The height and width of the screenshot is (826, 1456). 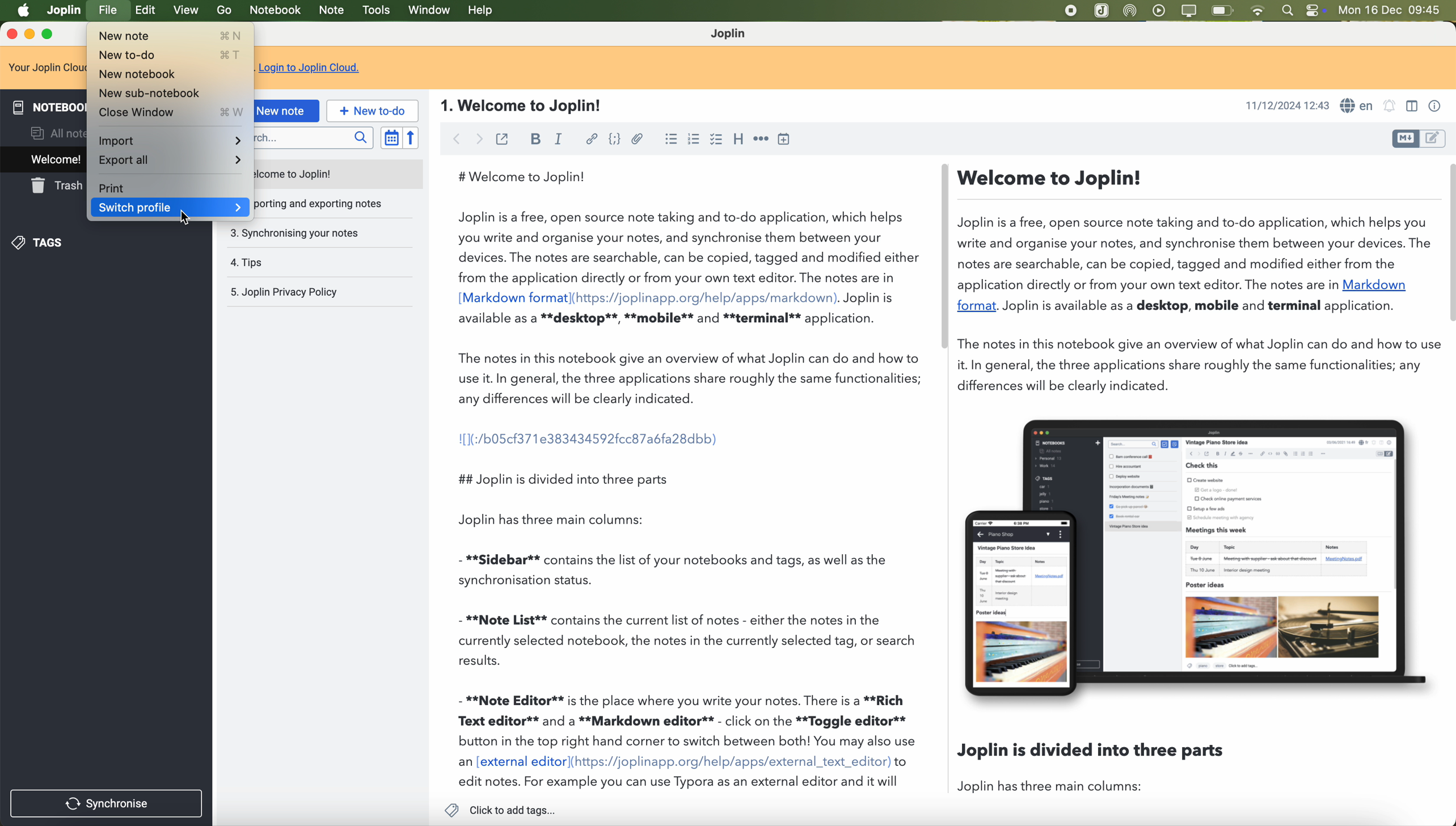 What do you see at coordinates (689, 640) in the screenshot?
I see `- **Note List** contains the current list of notes - either the notes in the
currently selected notebook, the notes in the currently selected tag, or search
results.` at bounding box center [689, 640].